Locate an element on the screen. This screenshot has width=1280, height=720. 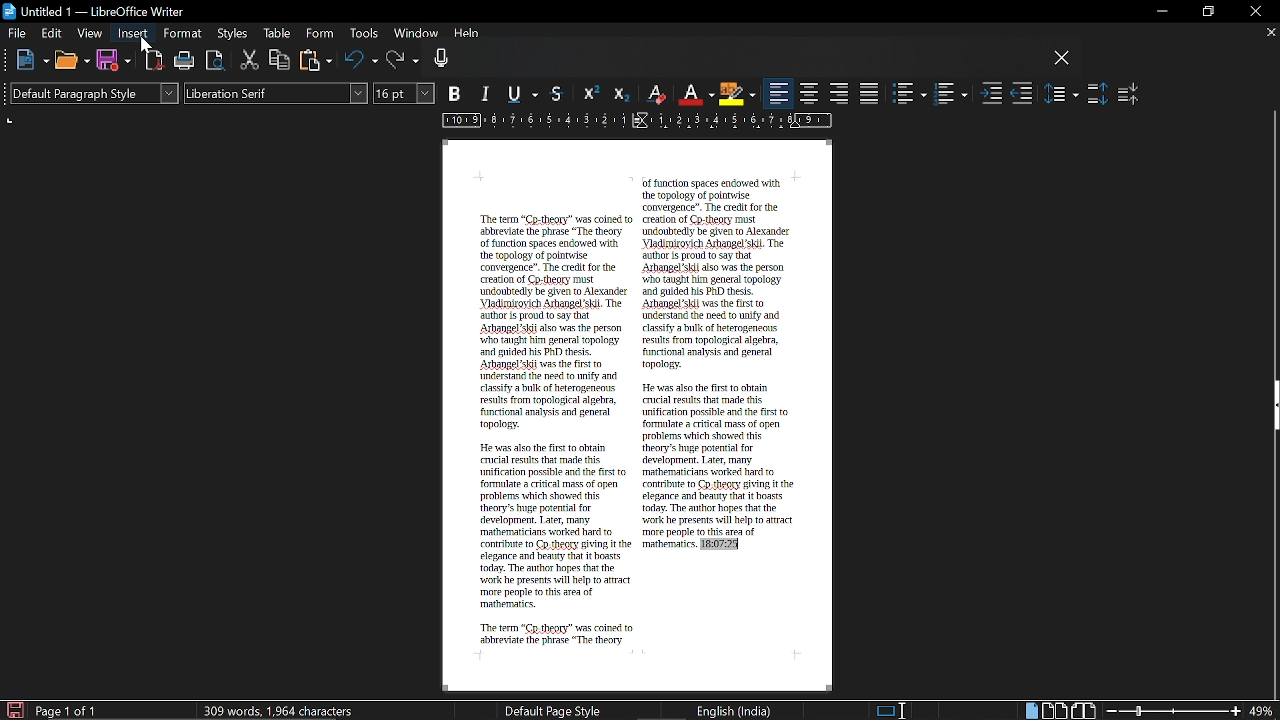
Text style is located at coordinates (276, 94).